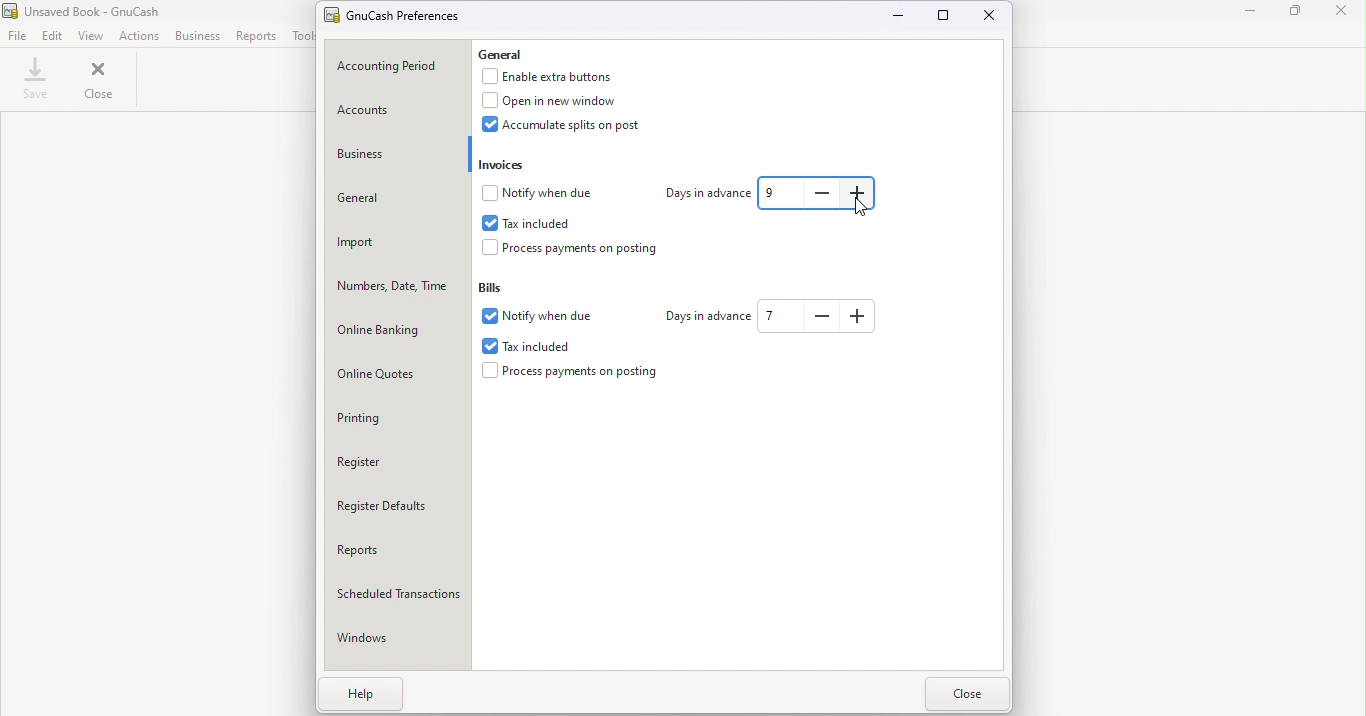 This screenshot has width=1366, height=716. I want to click on General, so click(513, 55).